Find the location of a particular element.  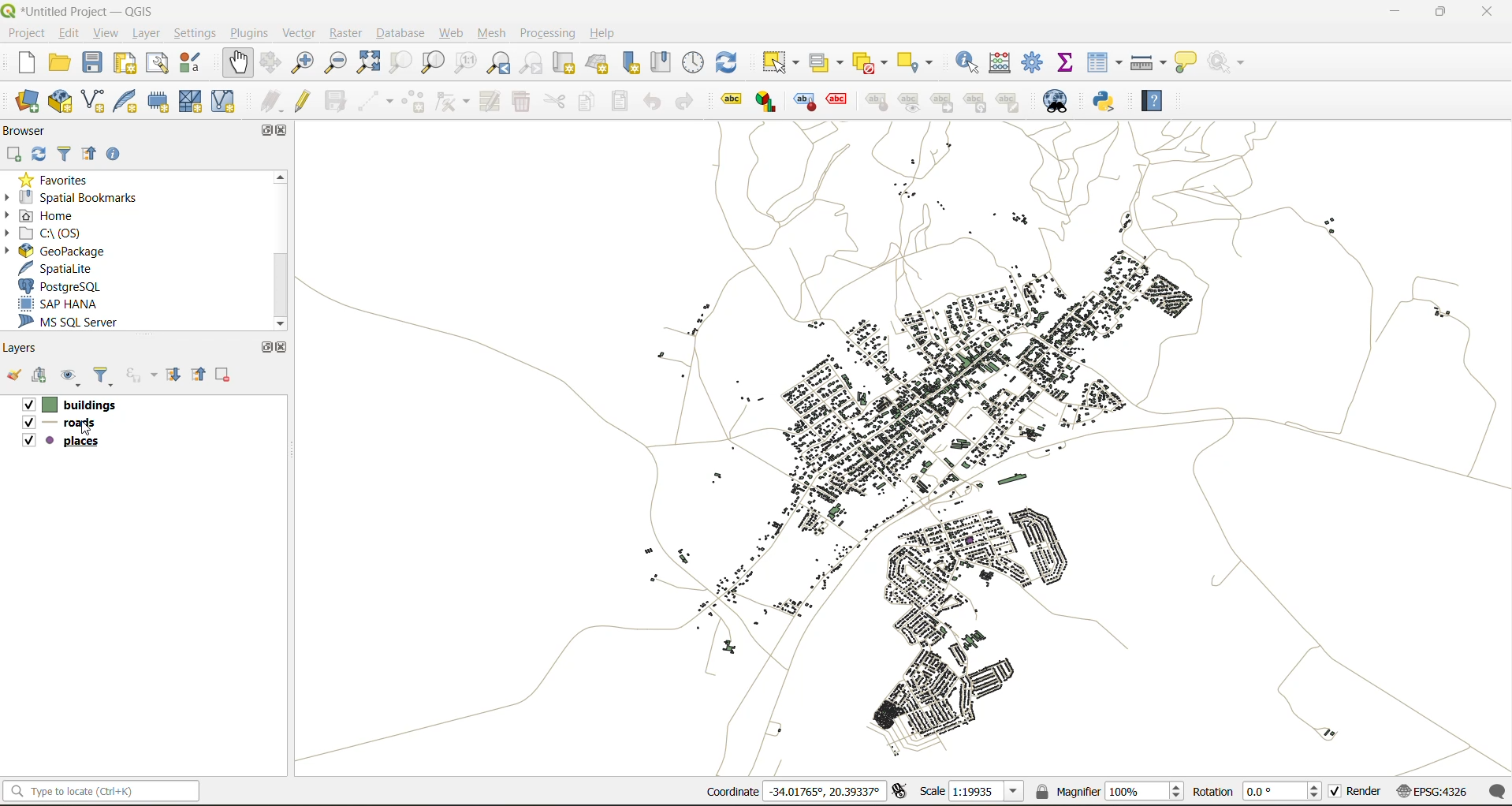

show layout is located at coordinates (156, 66).